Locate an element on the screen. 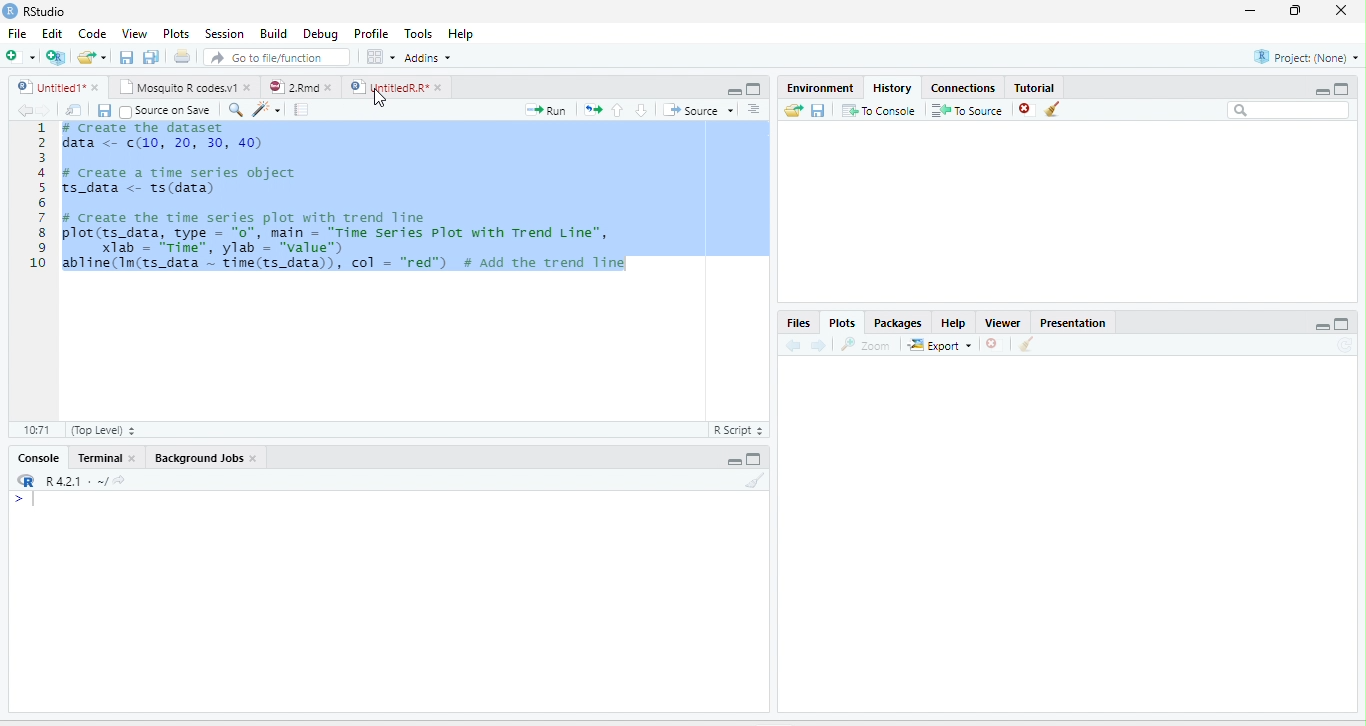 This screenshot has width=1366, height=726. R Script is located at coordinates (739, 430).